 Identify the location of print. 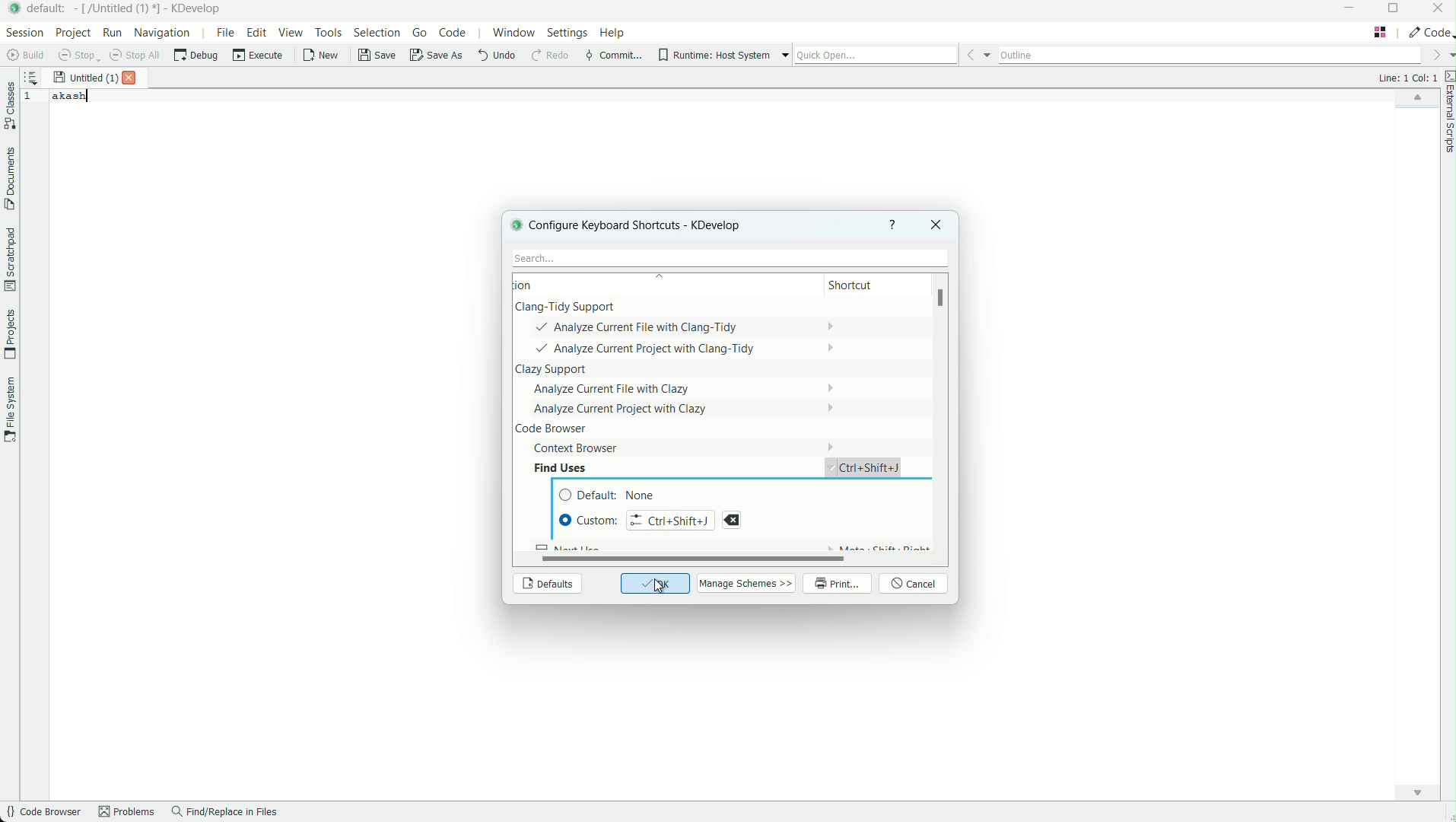
(838, 585).